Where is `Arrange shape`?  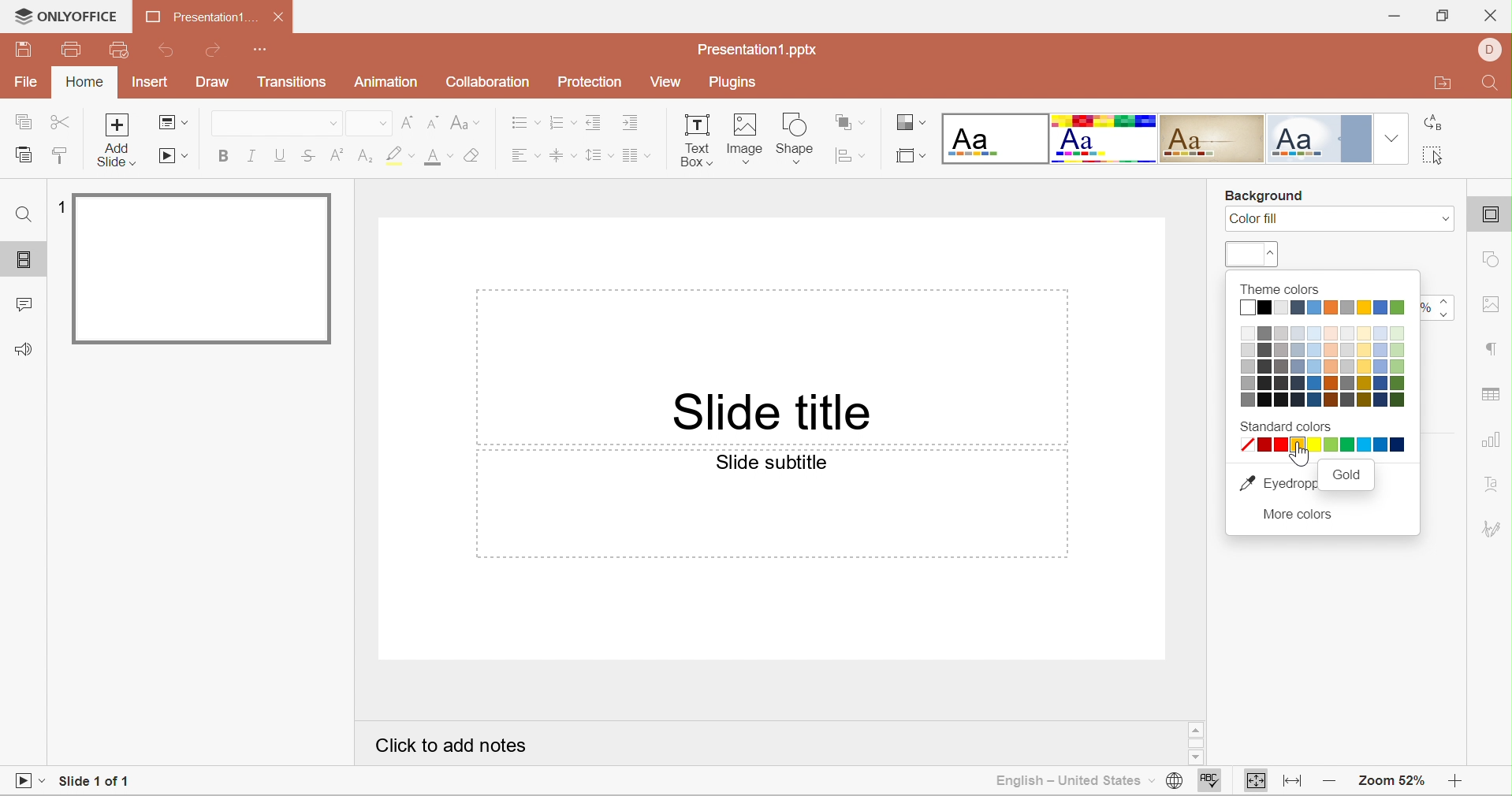
Arrange shape is located at coordinates (852, 121).